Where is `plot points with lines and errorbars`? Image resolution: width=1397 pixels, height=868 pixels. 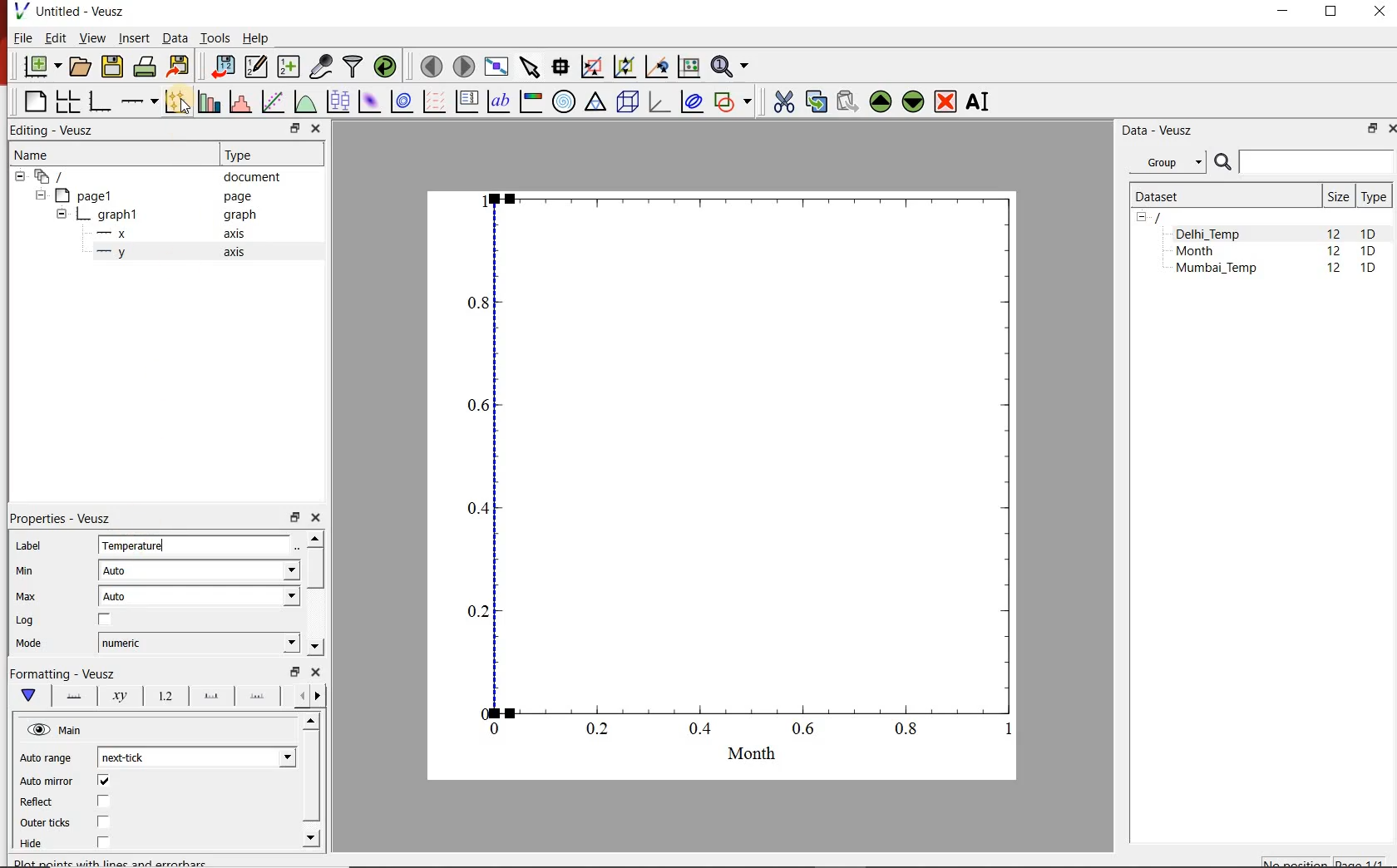 plot points with lines and errorbars is located at coordinates (175, 102).